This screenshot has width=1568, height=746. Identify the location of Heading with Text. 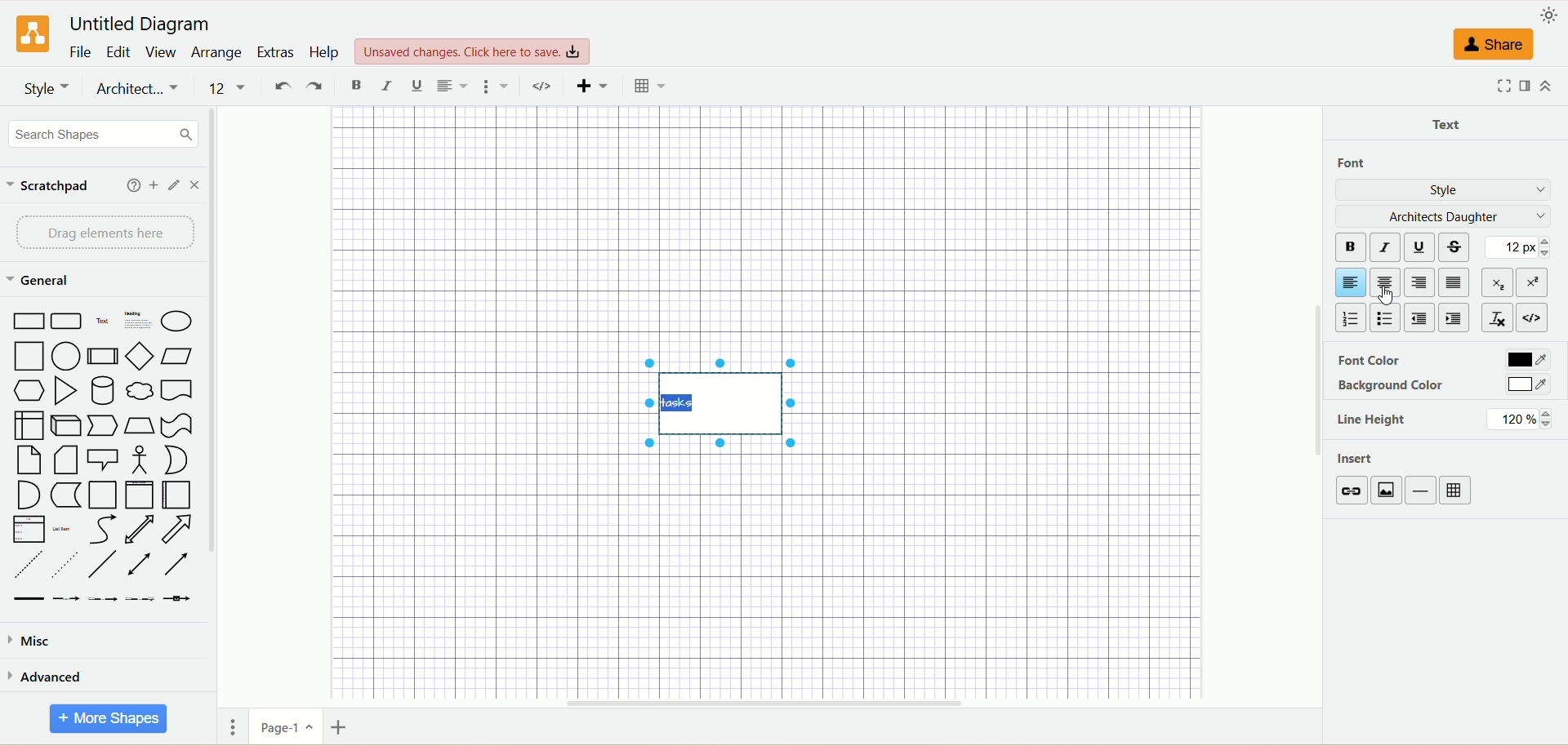
(138, 322).